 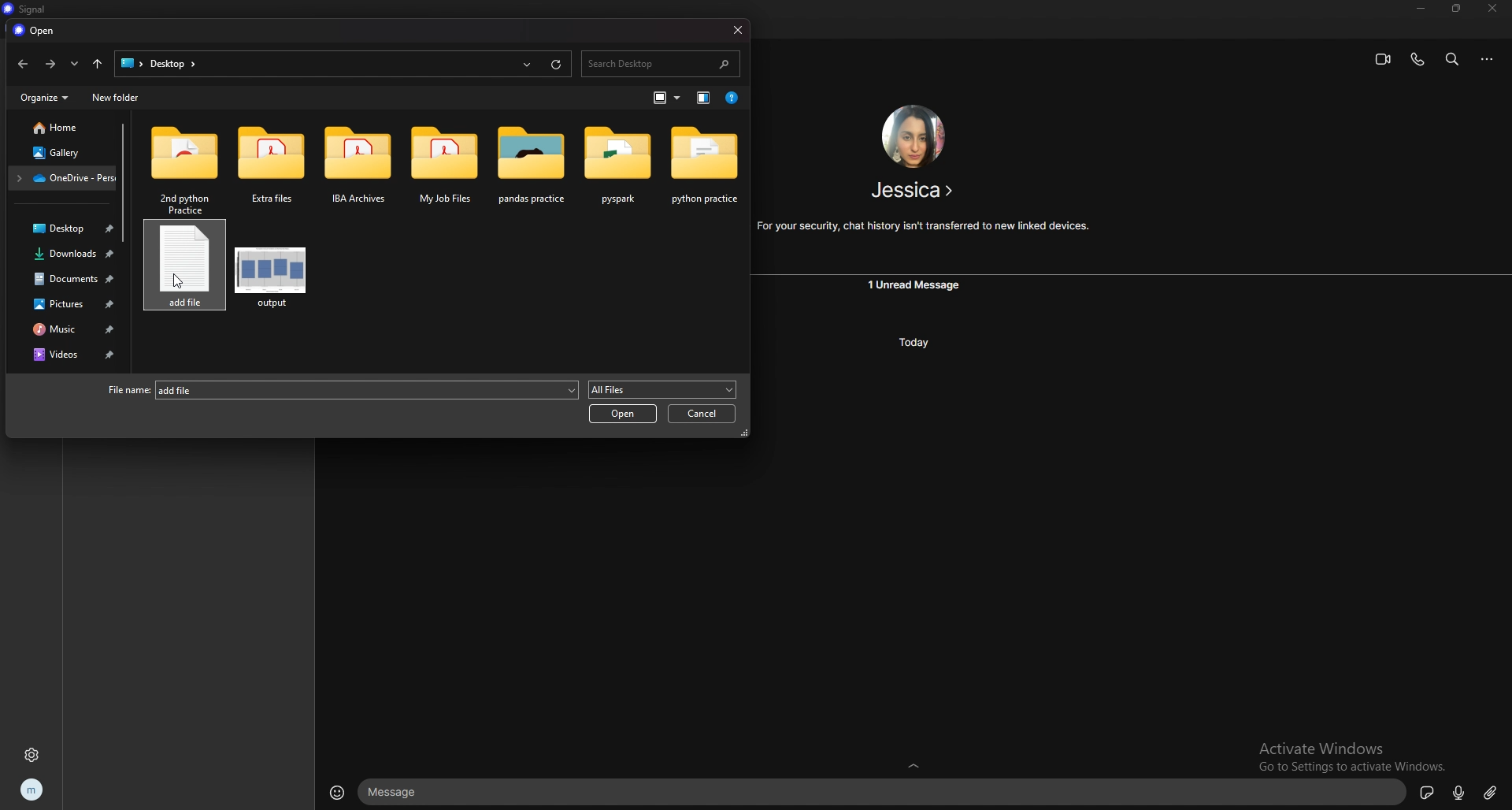 I want to click on back, so click(x=20, y=64).